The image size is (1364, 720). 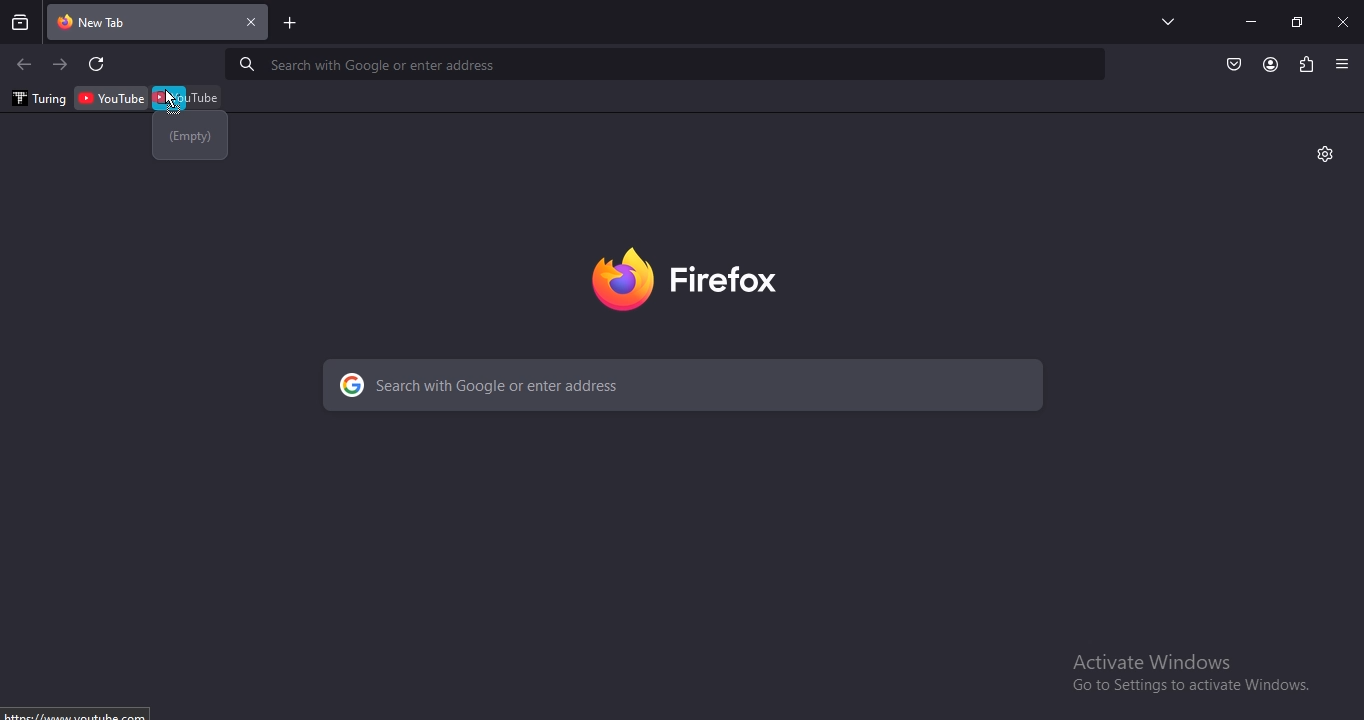 What do you see at coordinates (61, 64) in the screenshot?
I see `click to go to next page` at bounding box center [61, 64].